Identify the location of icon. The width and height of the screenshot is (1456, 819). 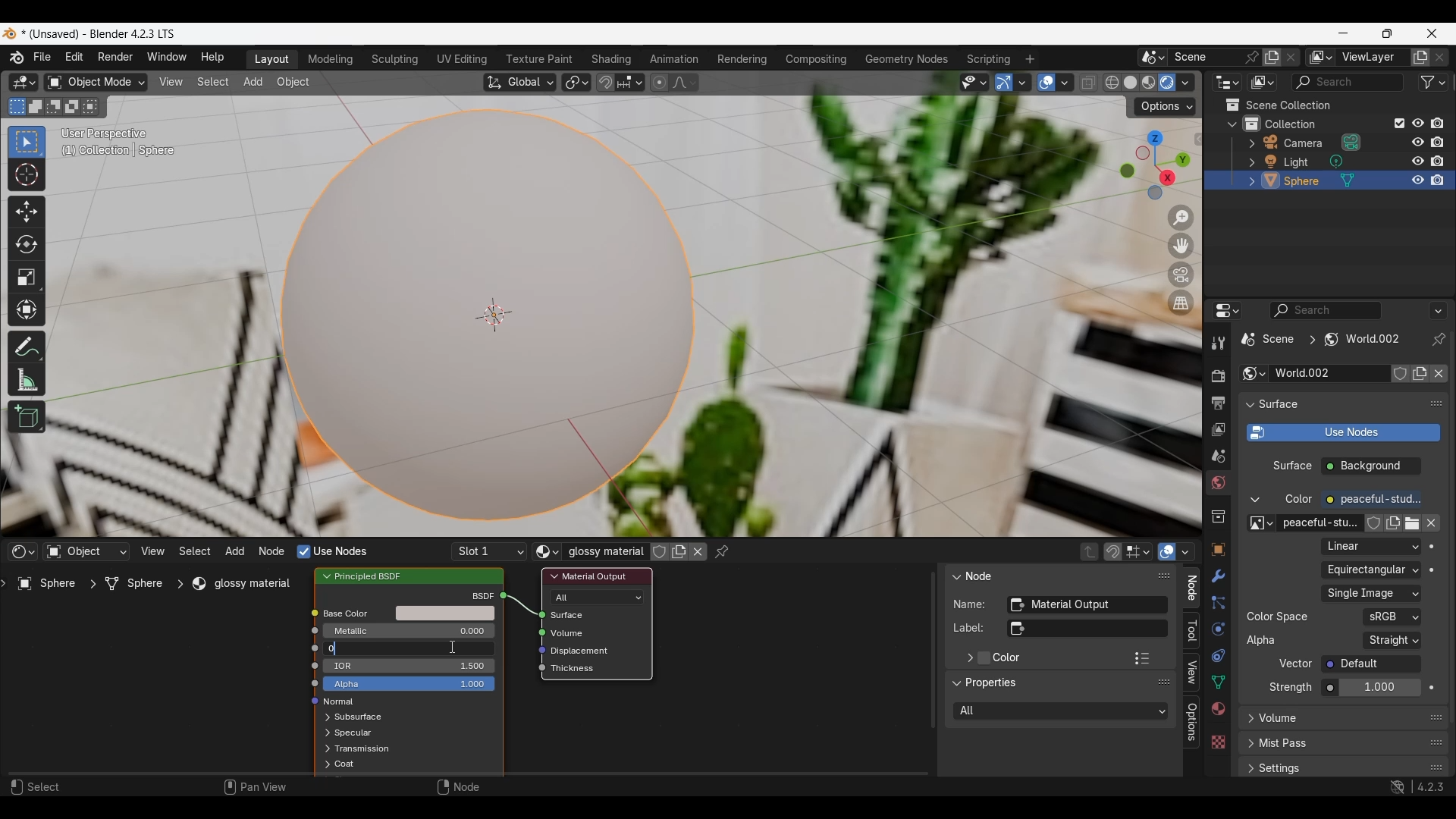
(535, 670).